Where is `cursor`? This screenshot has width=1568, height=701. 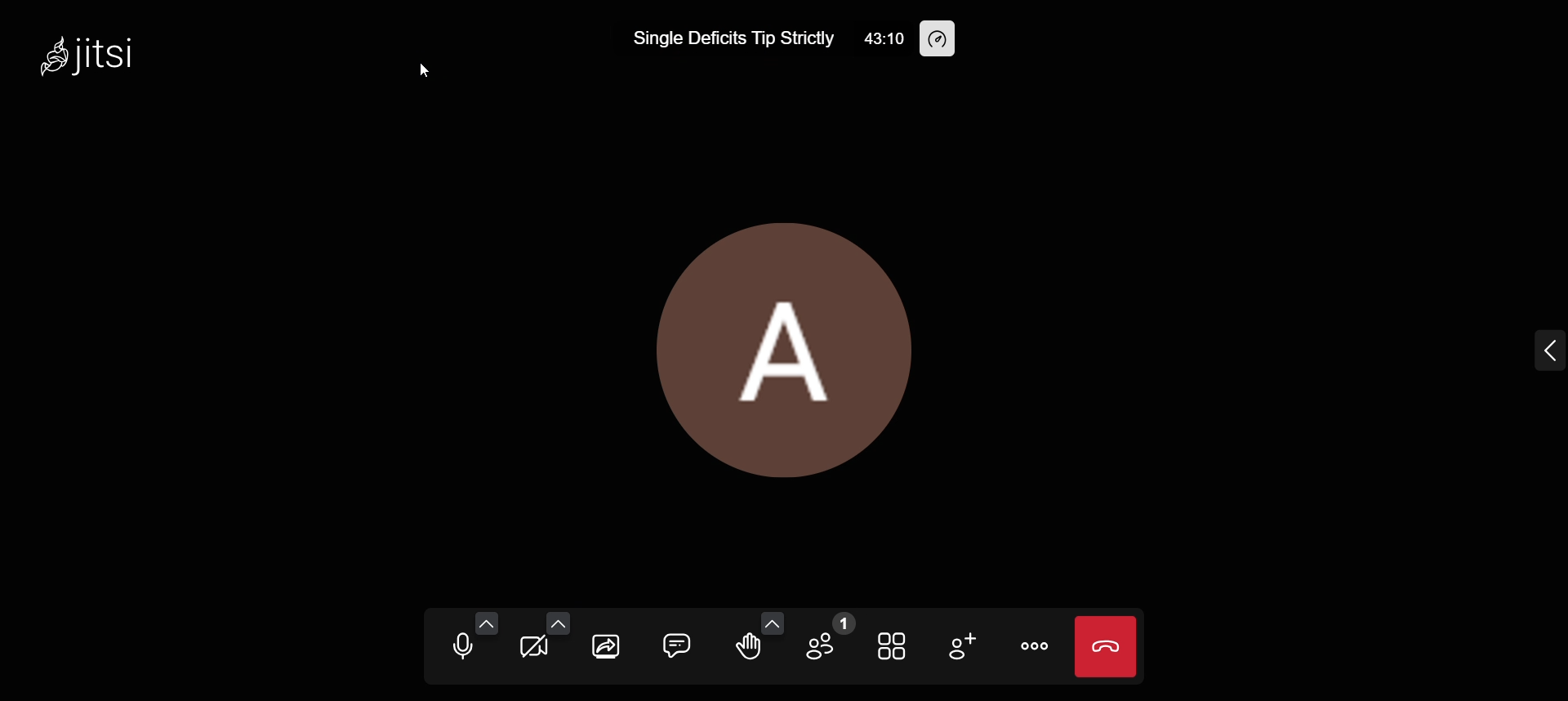 cursor is located at coordinates (437, 66).